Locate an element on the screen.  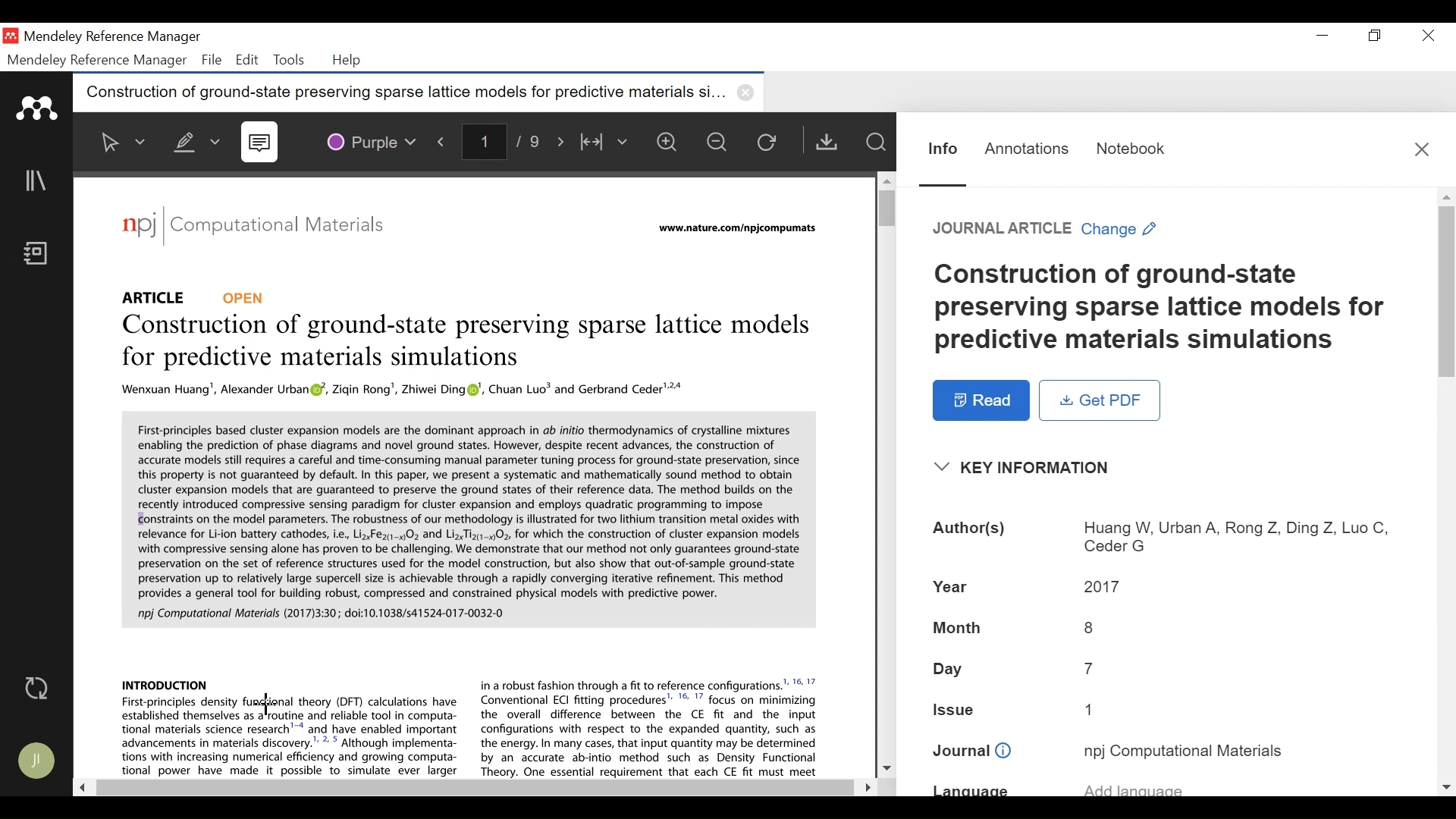
Width to fit is located at coordinates (606, 143).